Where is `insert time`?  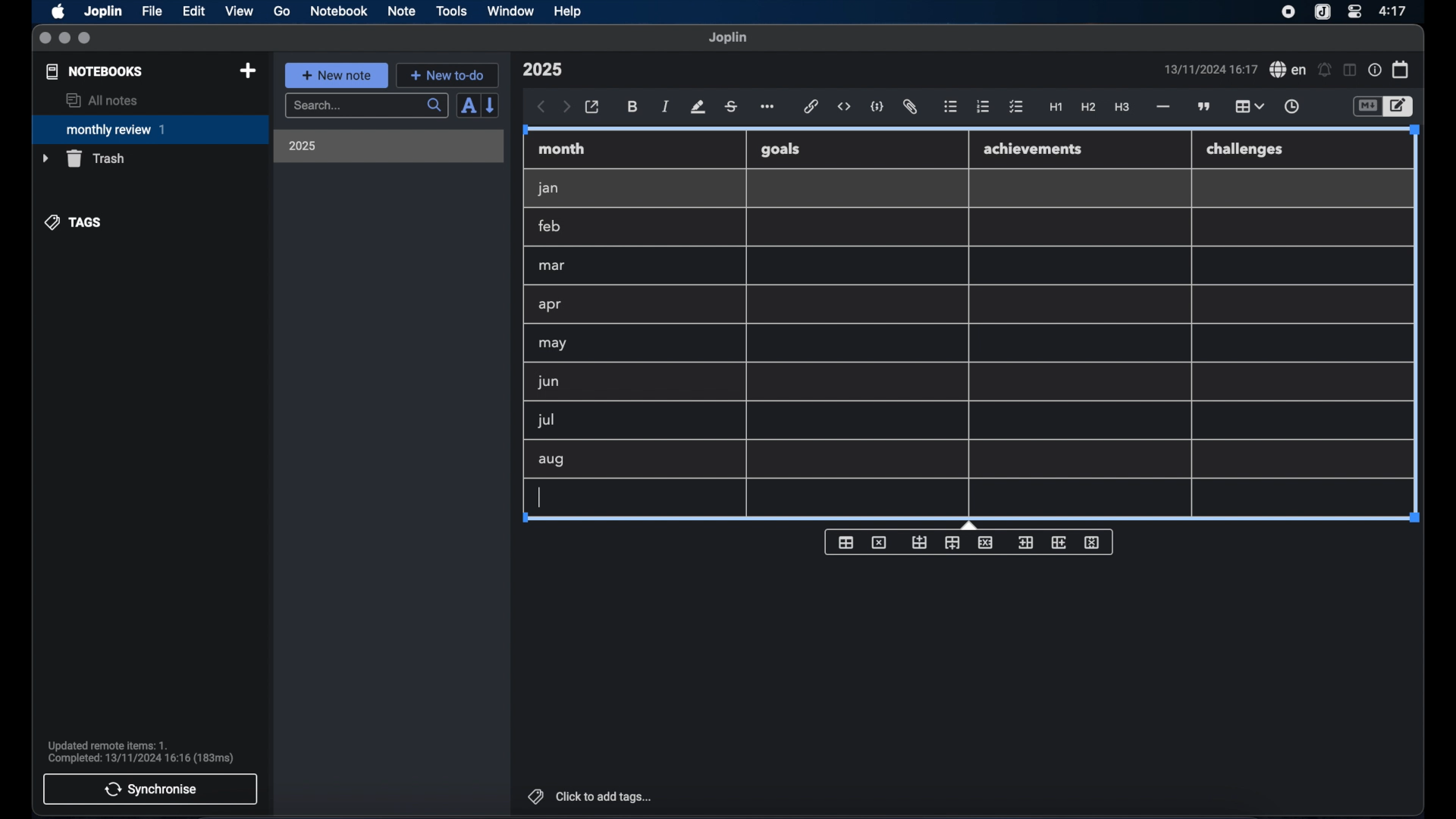 insert time is located at coordinates (1291, 107).